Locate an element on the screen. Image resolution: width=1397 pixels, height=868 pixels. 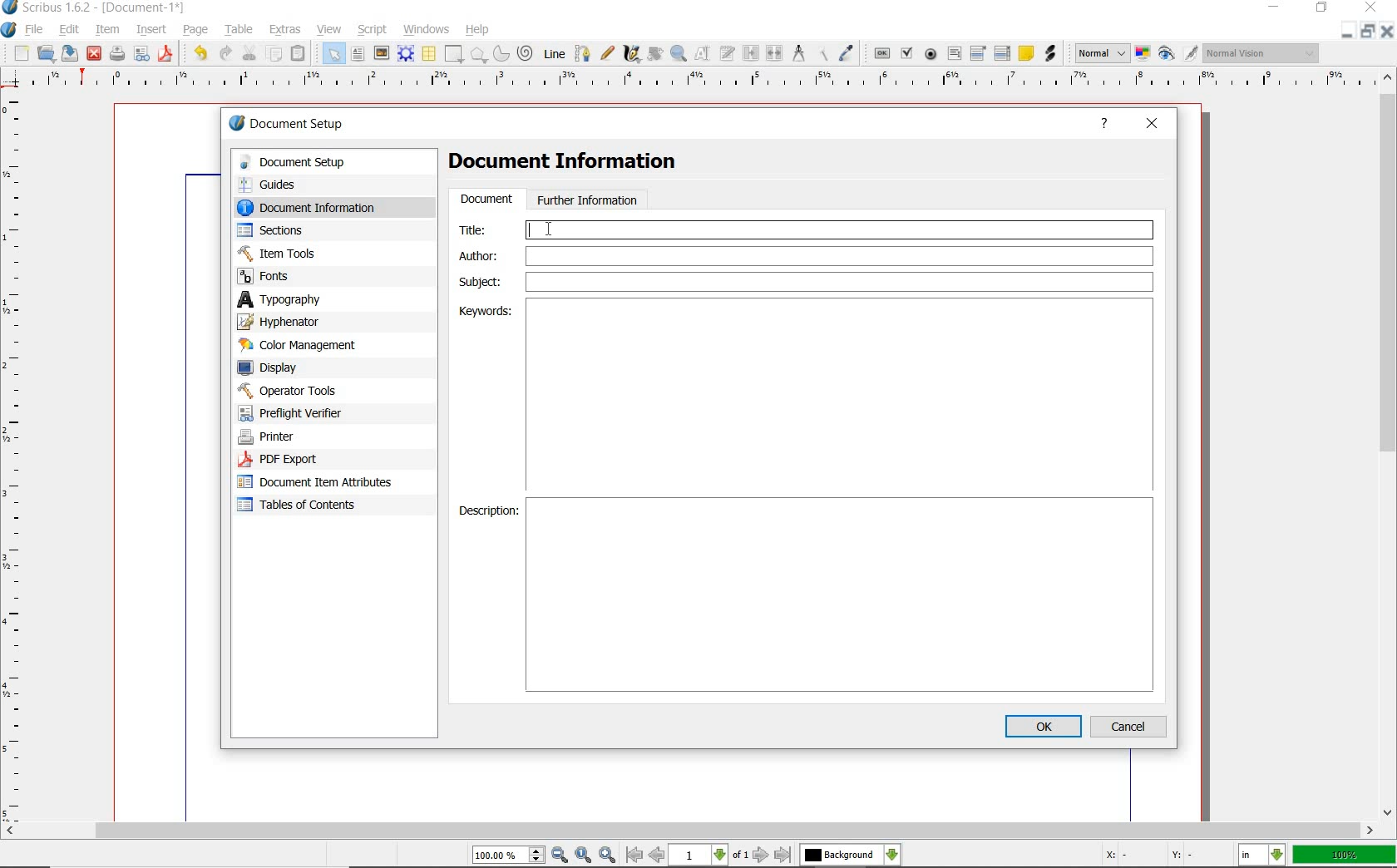
zoom in or zoom out is located at coordinates (679, 55).